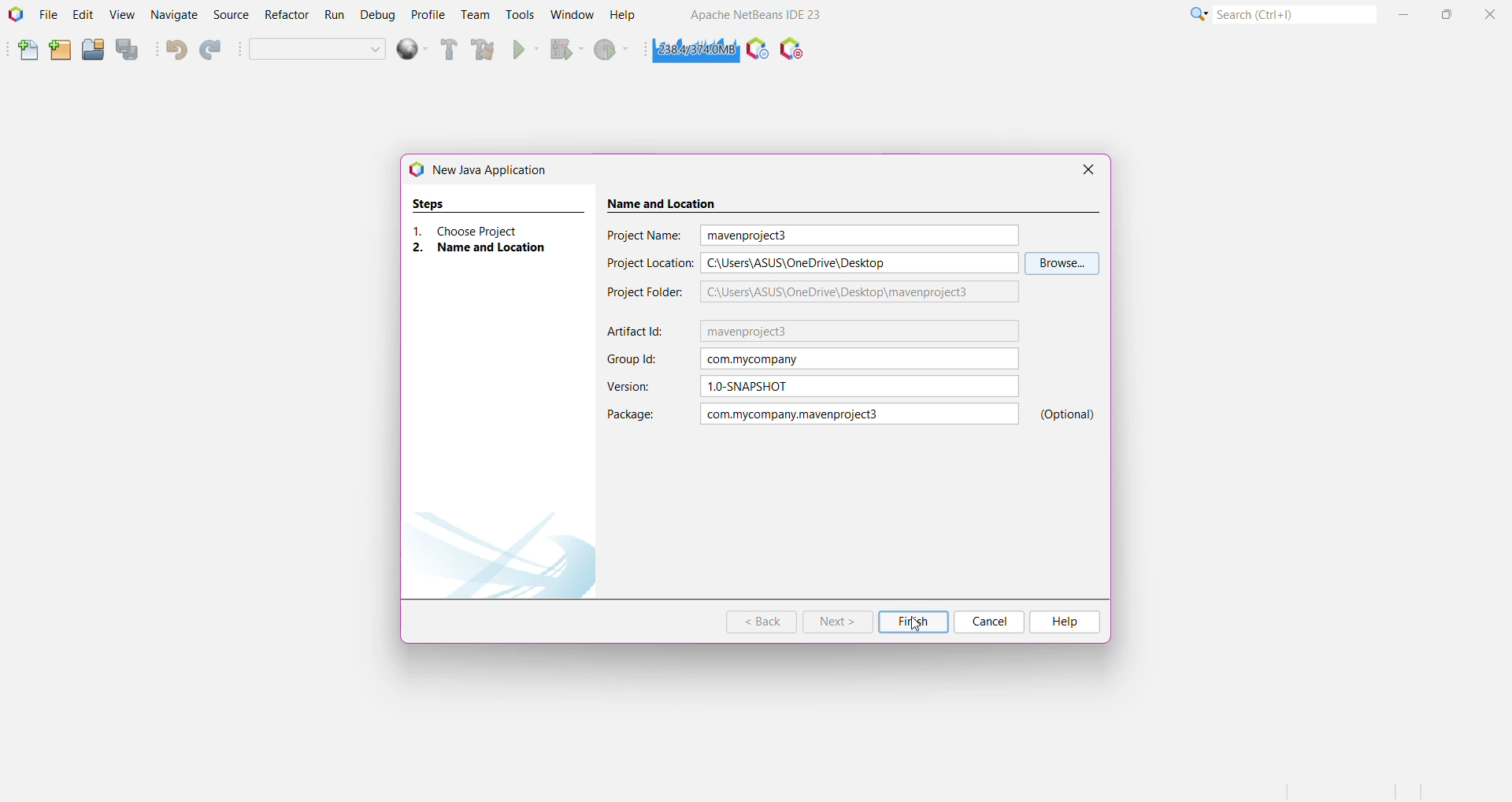  What do you see at coordinates (427, 15) in the screenshot?
I see `Profile` at bounding box center [427, 15].